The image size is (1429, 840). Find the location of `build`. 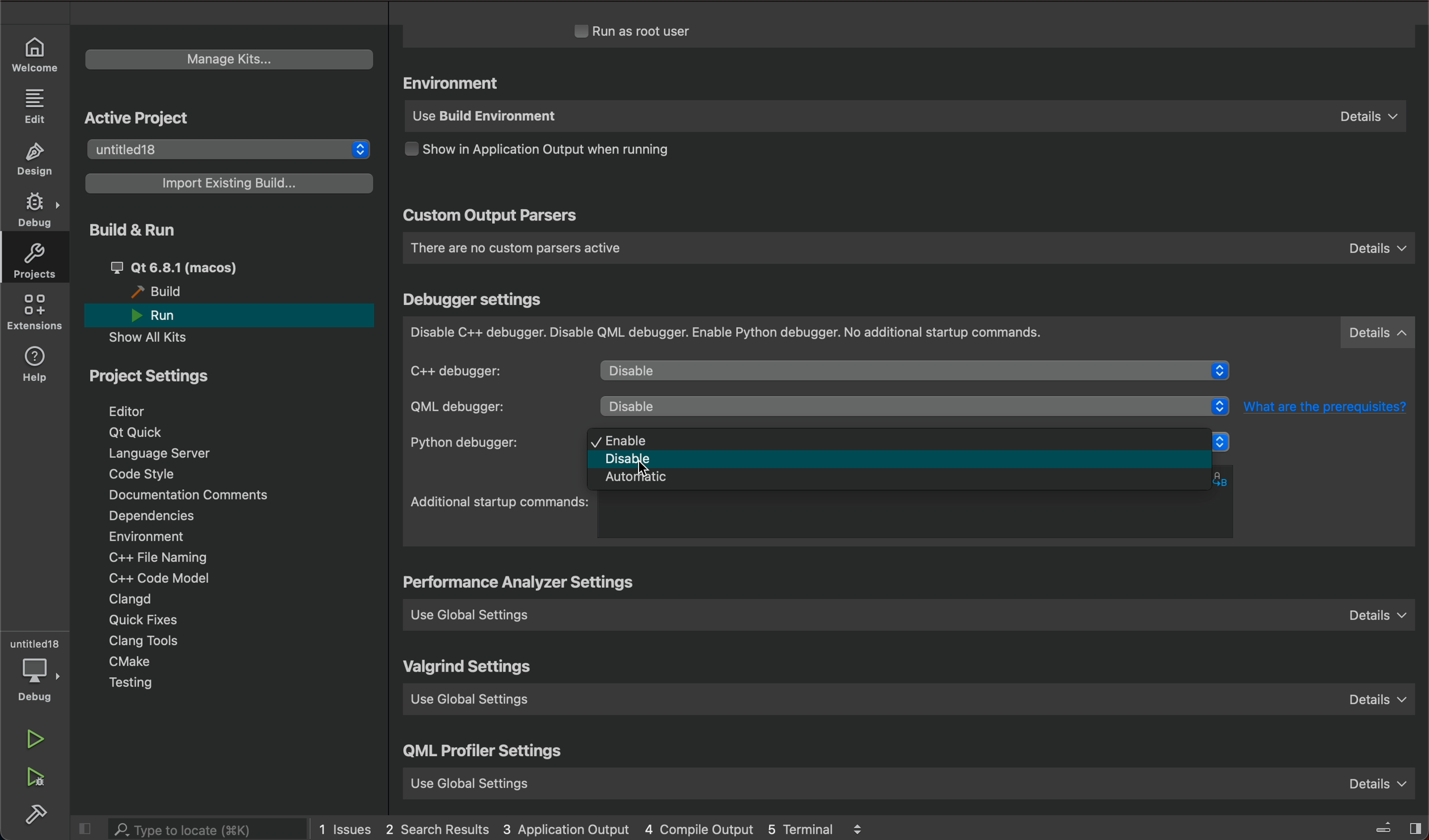

build is located at coordinates (163, 292).